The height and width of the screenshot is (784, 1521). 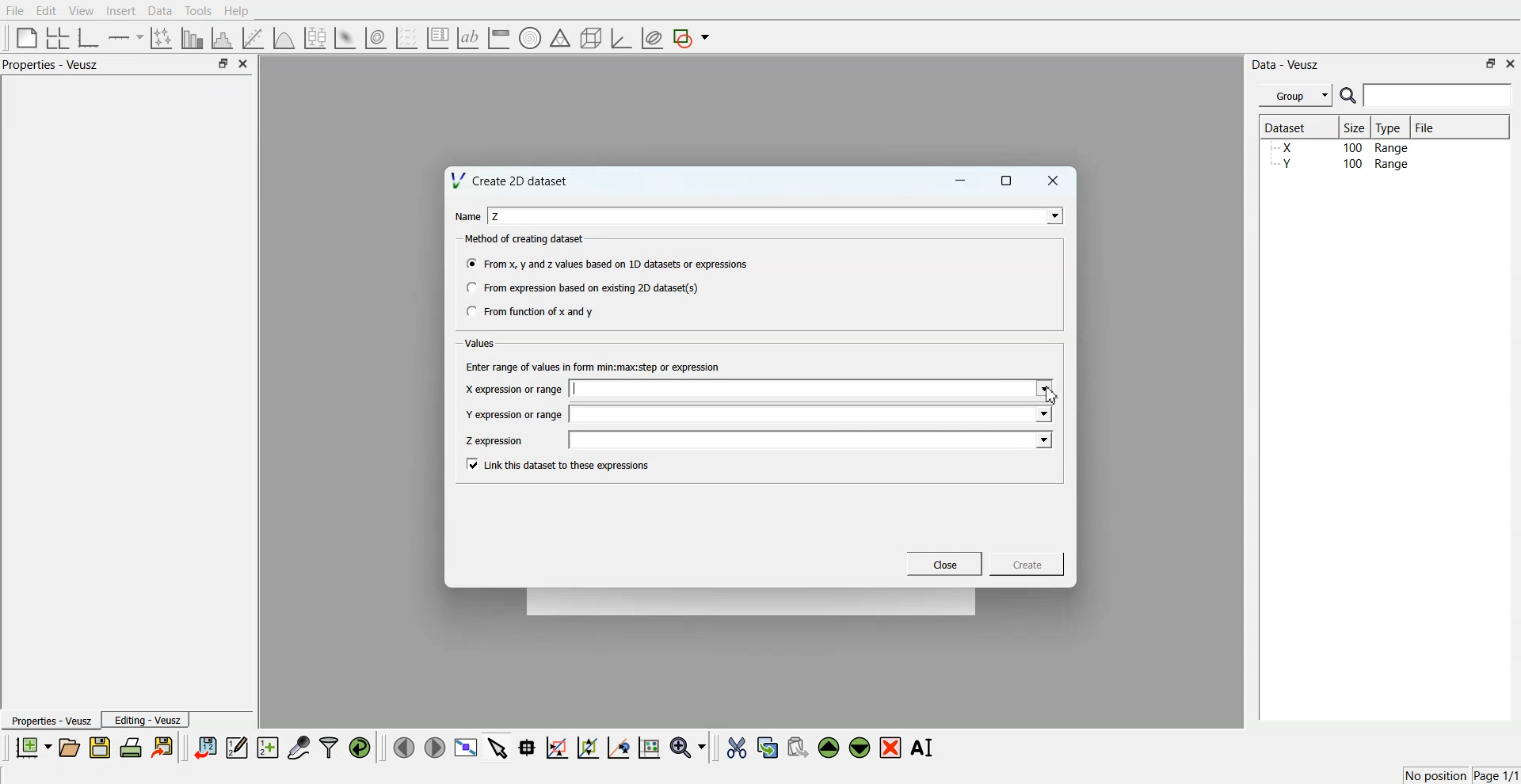 I want to click on Filter dataset, so click(x=329, y=747).